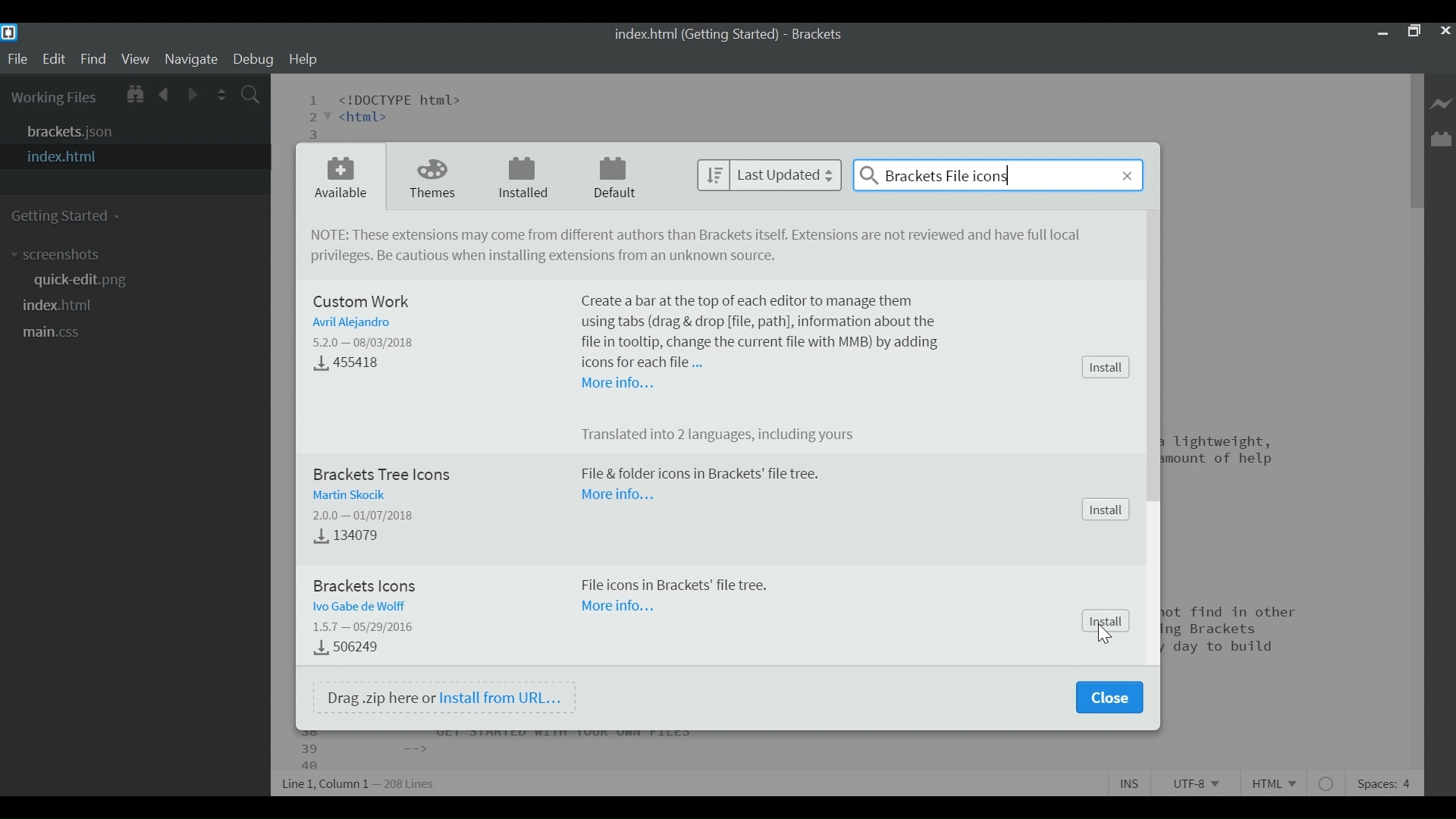 The width and height of the screenshot is (1456, 819). I want to click on Version - Release Dtae, so click(365, 513).